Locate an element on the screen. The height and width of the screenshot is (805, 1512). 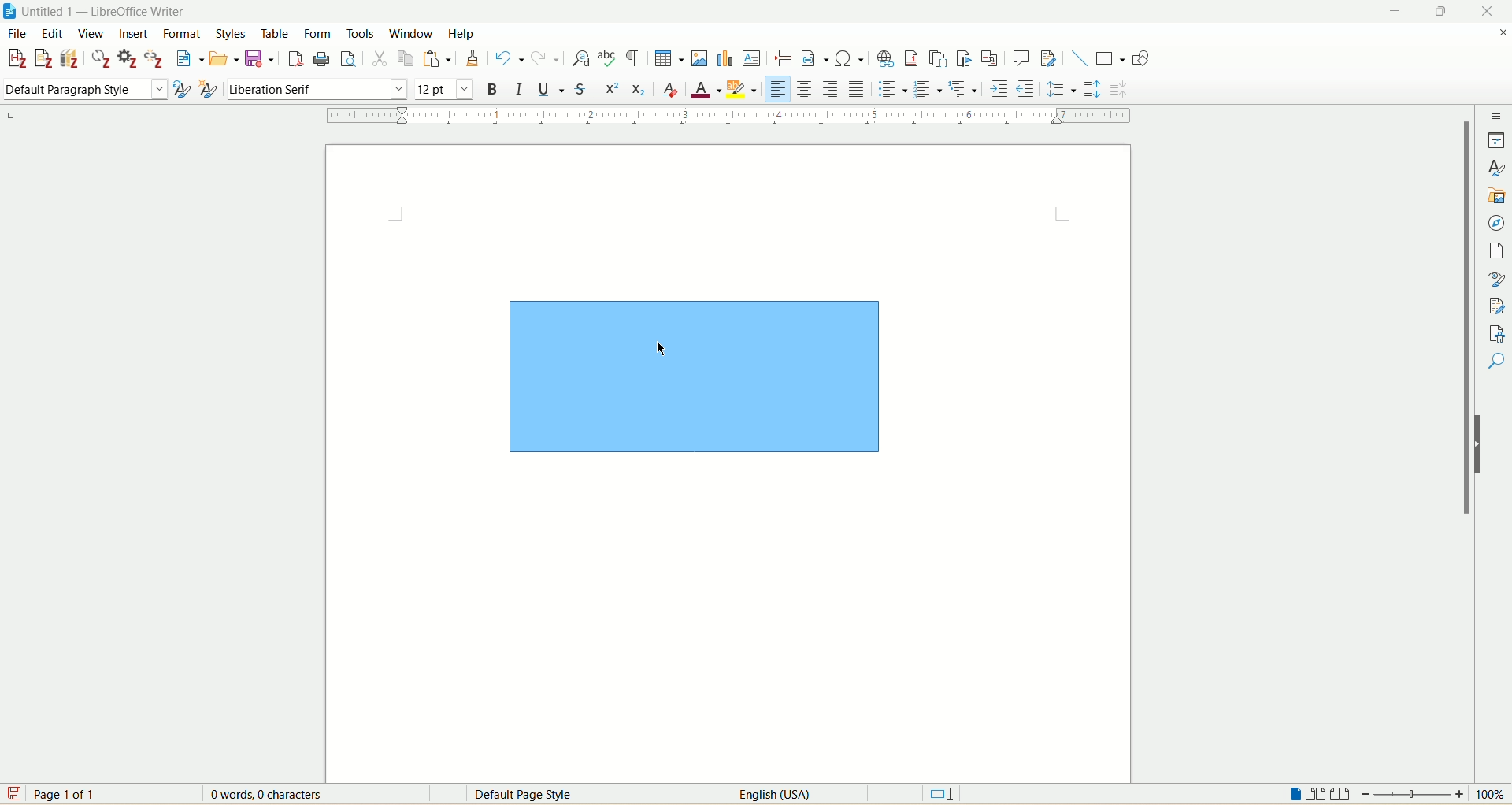
properties is located at coordinates (1496, 142).